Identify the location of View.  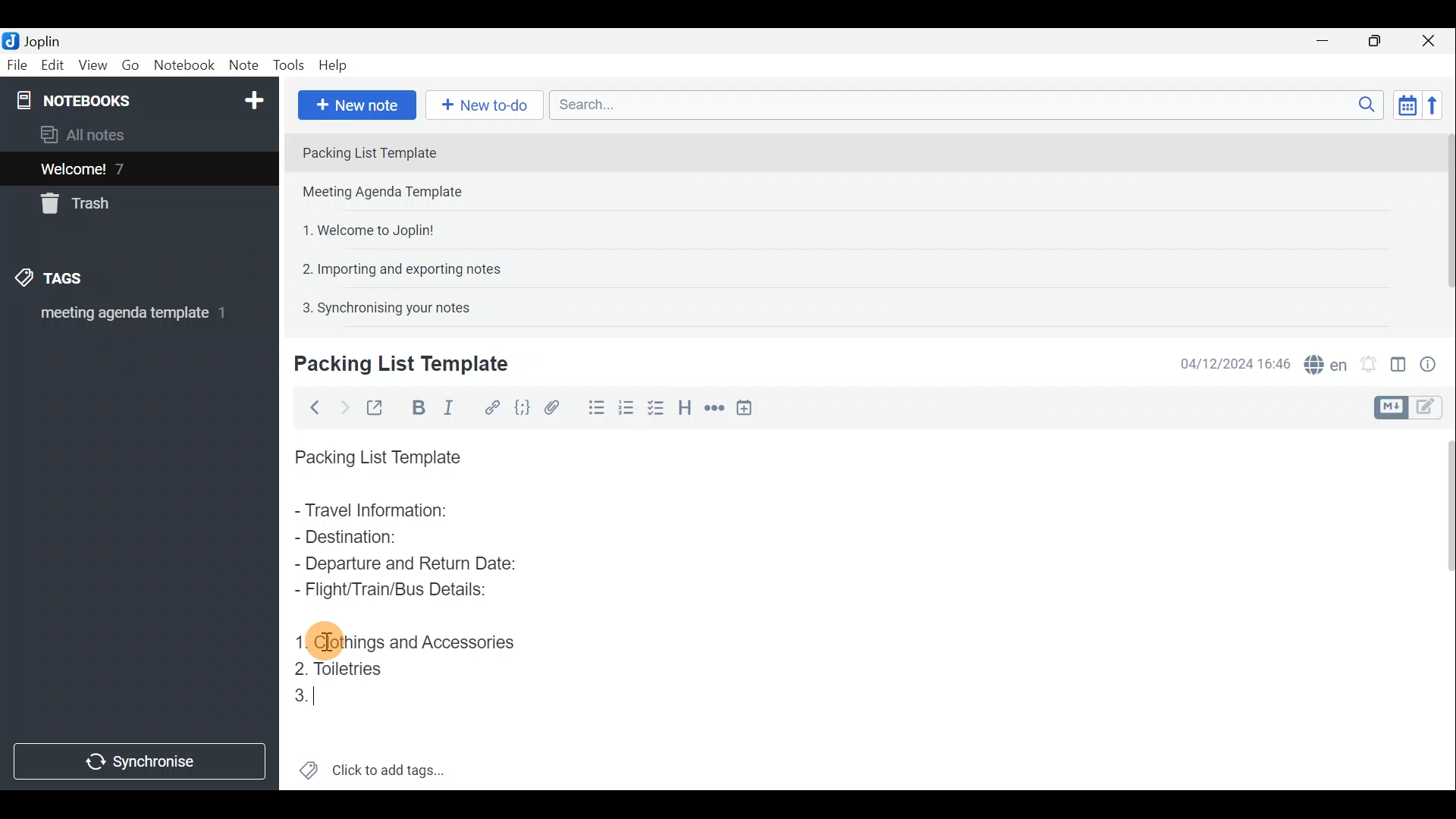
(94, 65).